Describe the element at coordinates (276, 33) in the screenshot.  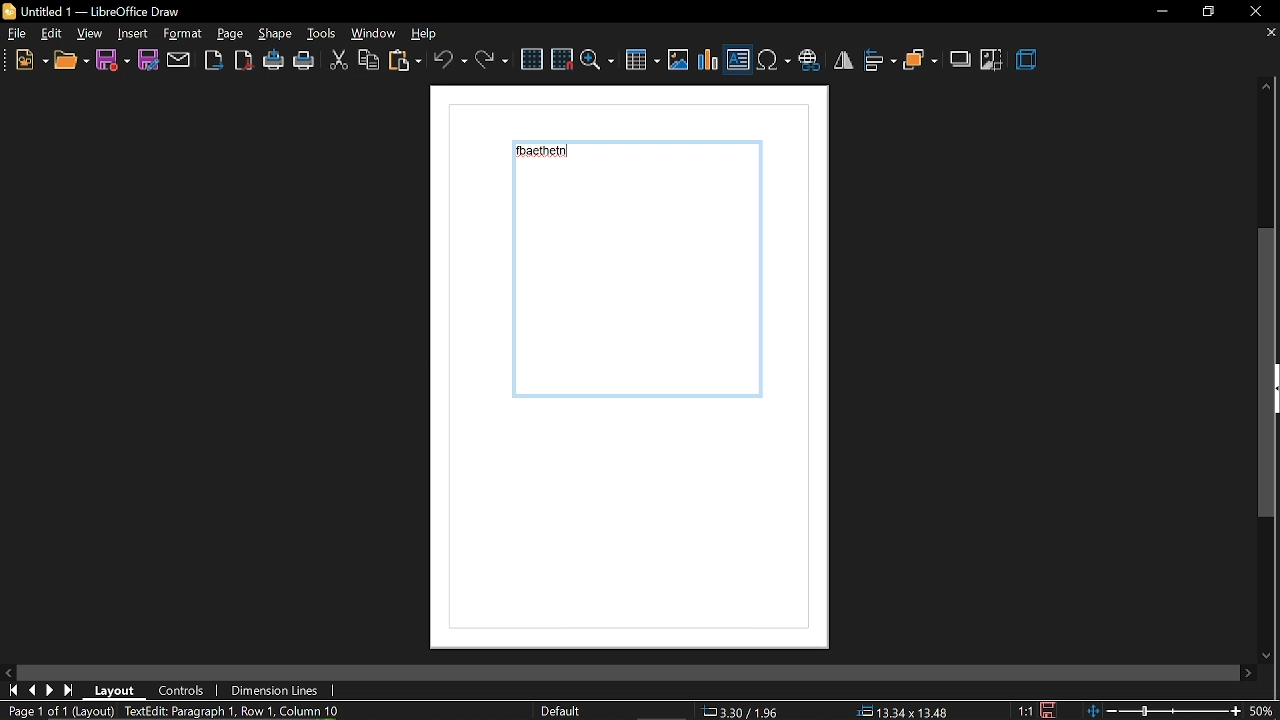
I see `page` at that location.